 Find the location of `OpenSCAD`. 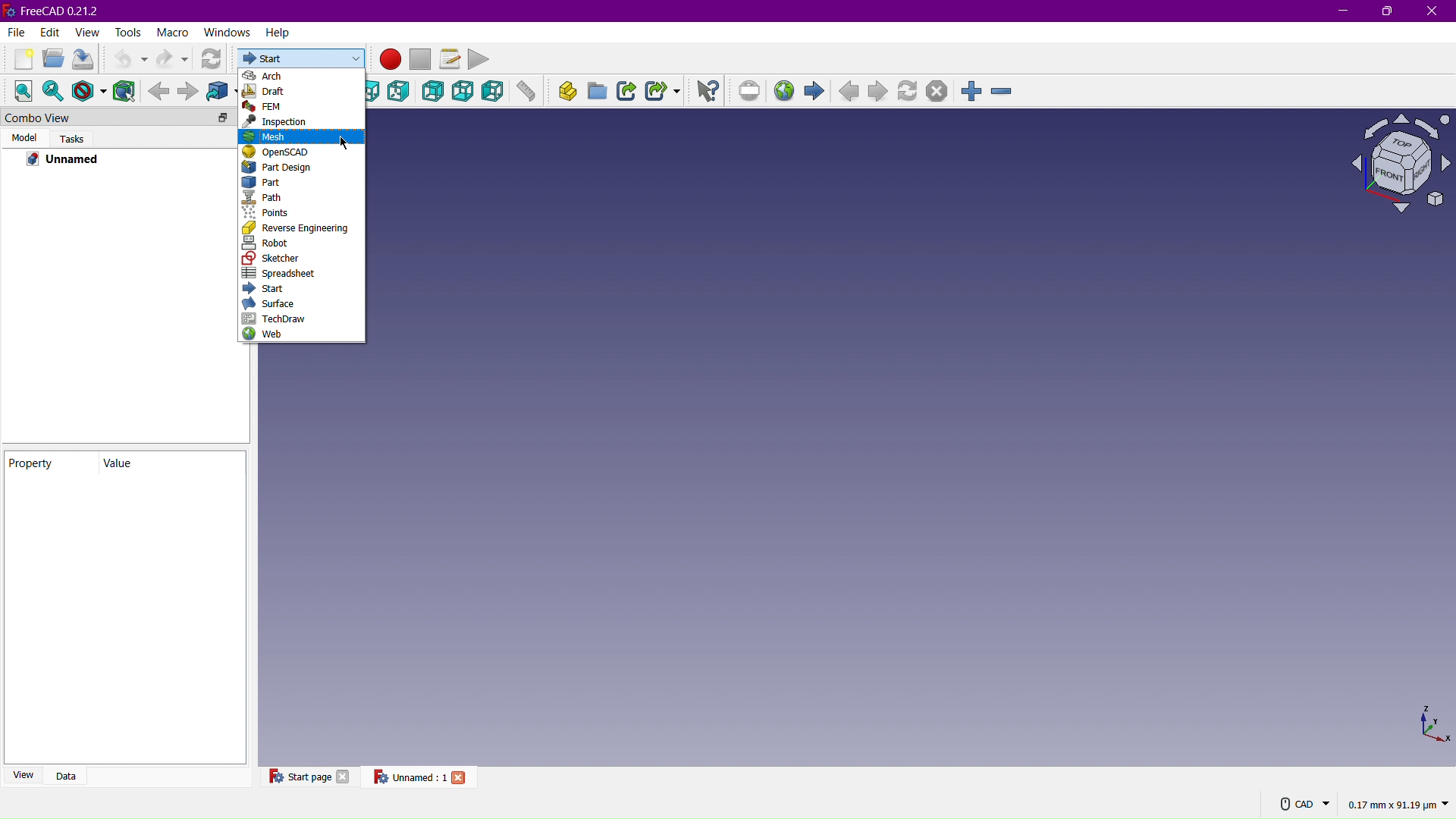

OpenSCAD is located at coordinates (302, 153).